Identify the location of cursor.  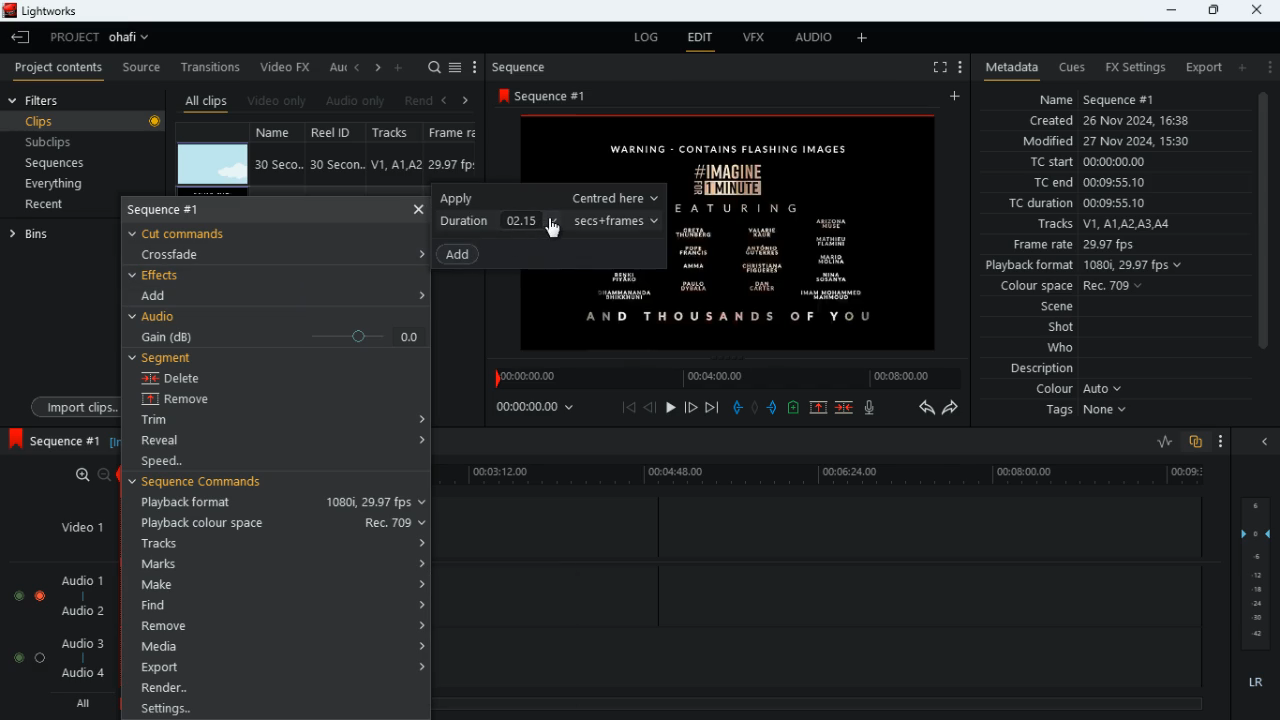
(556, 230).